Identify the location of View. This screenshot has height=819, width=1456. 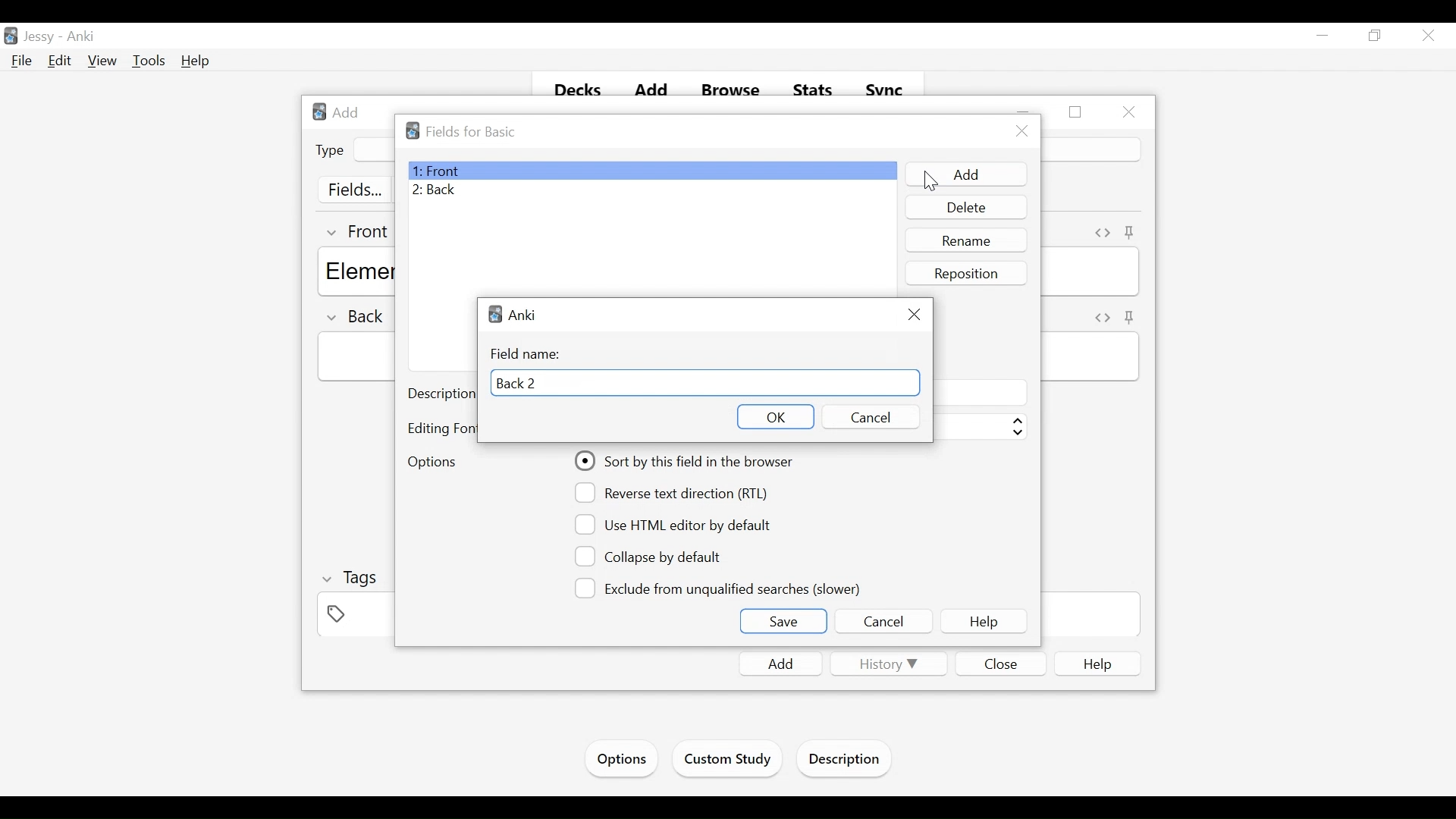
(103, 61).